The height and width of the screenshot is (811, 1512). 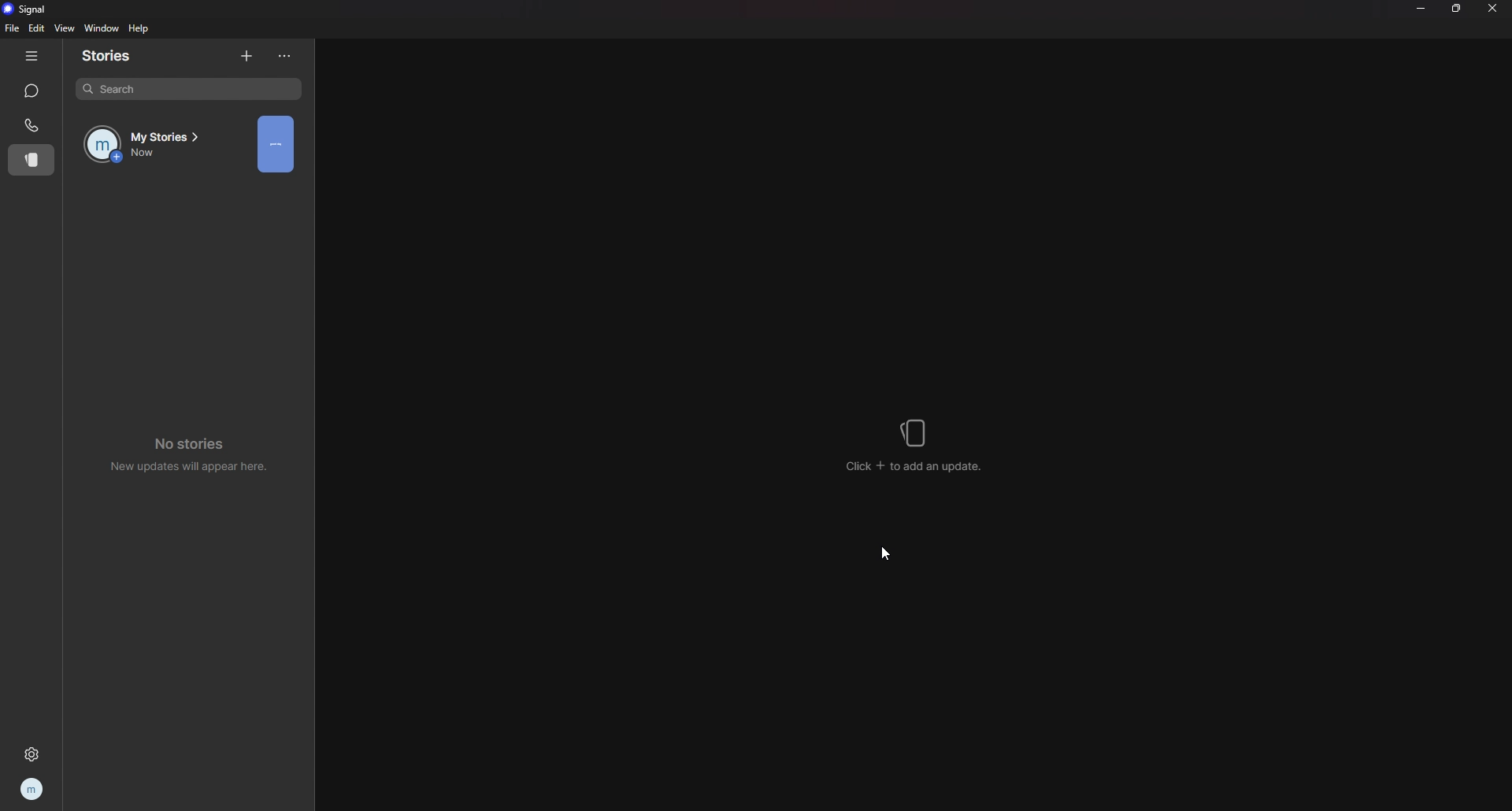 I want to click on help, so click(x=140, y=28).